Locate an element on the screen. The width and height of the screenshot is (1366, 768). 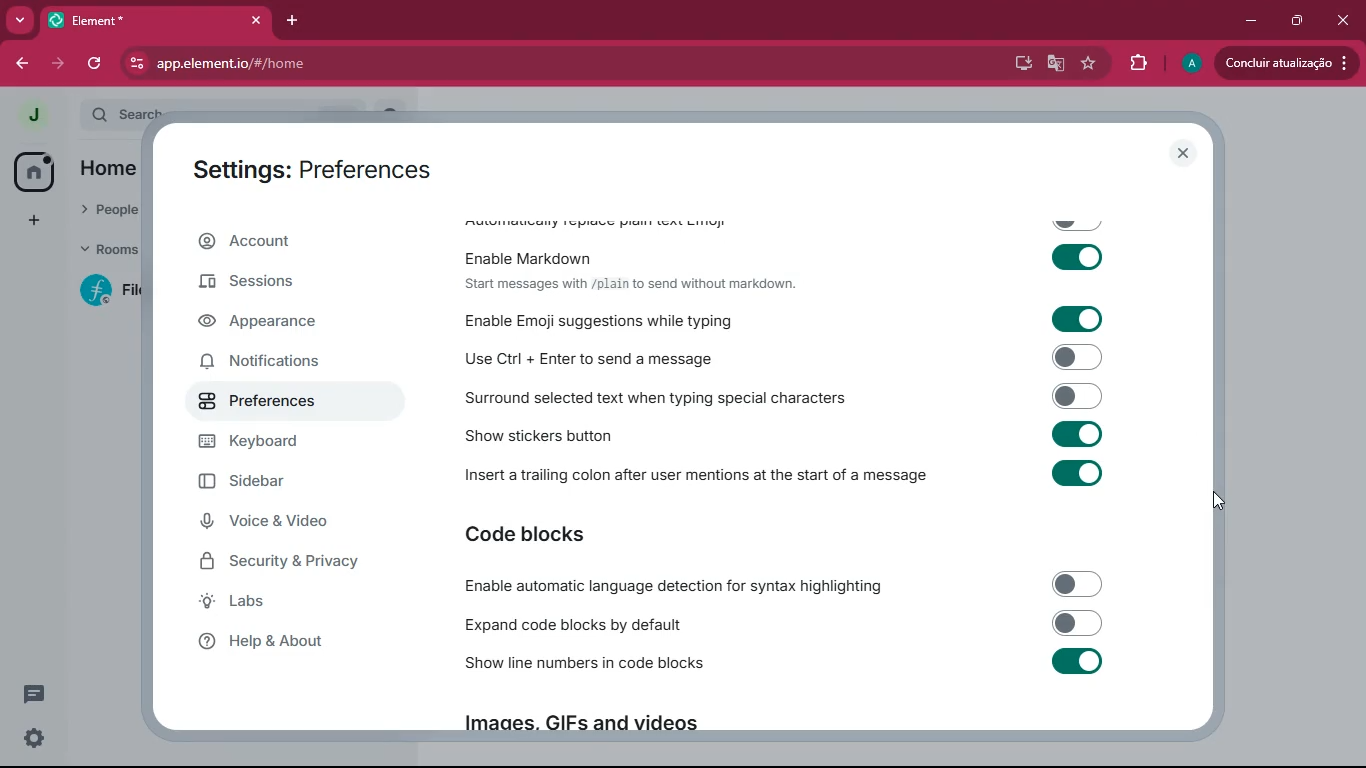
home is located at coordinates (108, 170).